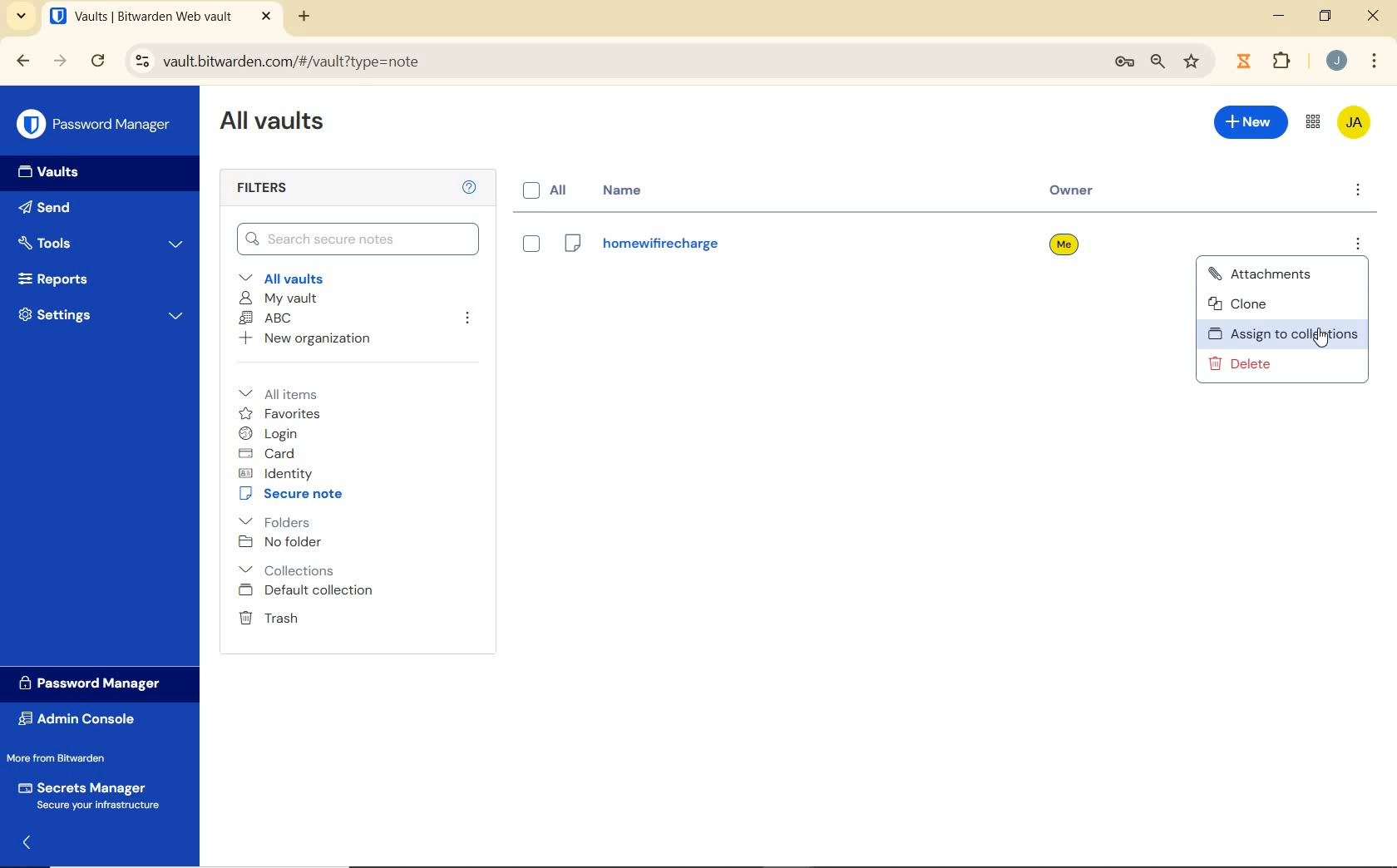 The height and width of the screenshot is (868, 1397). I want to click on zoom, so click(1158, 63).